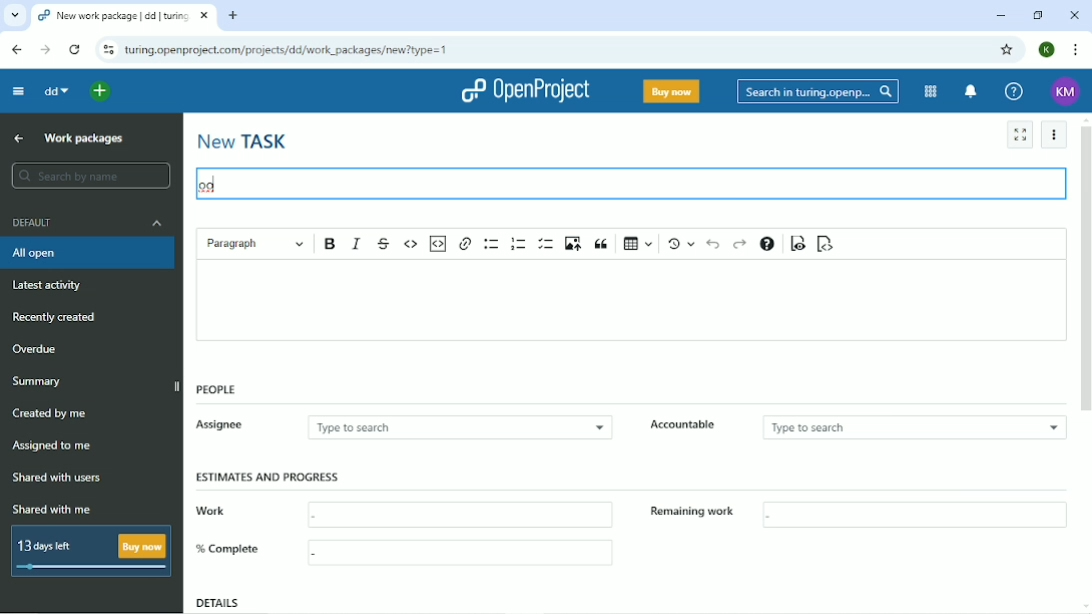 The width and height of the screenshot is (1092, 614). Describe the element at coordinates (1054, 134) in the screenshot. I see `Settings` at that location.